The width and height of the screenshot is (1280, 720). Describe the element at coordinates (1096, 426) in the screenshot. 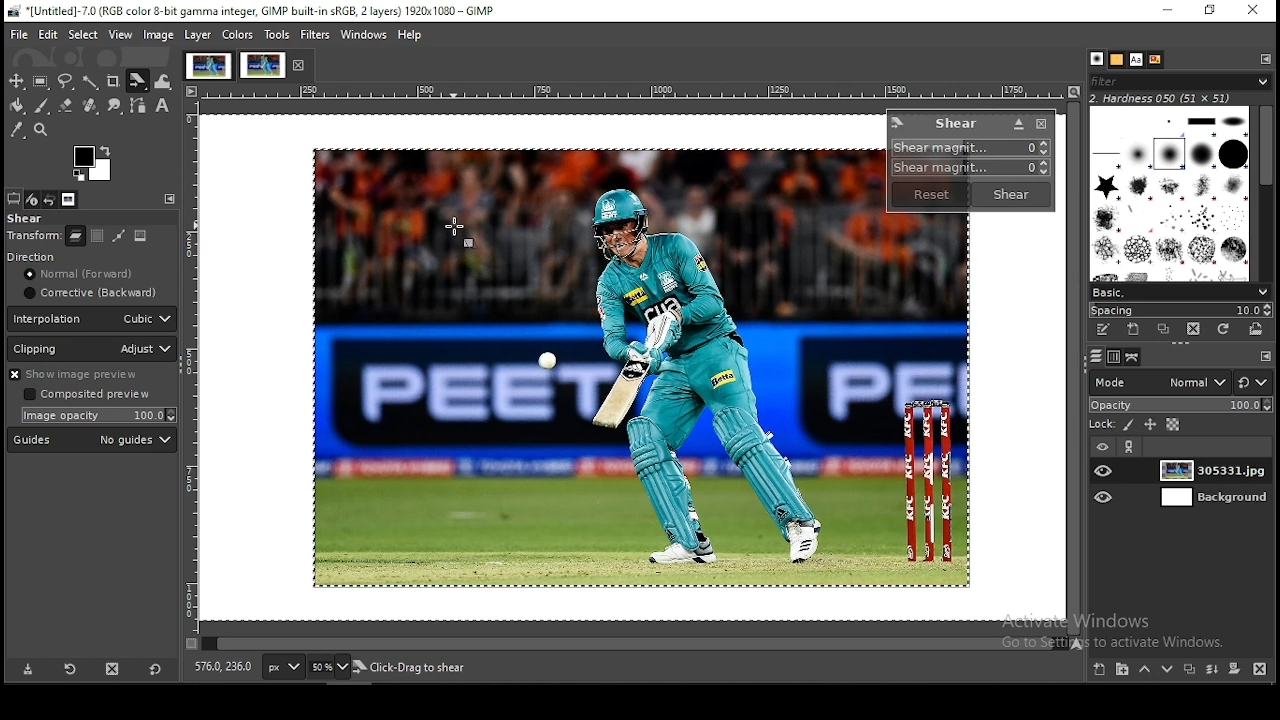

I see `lock` at that location.